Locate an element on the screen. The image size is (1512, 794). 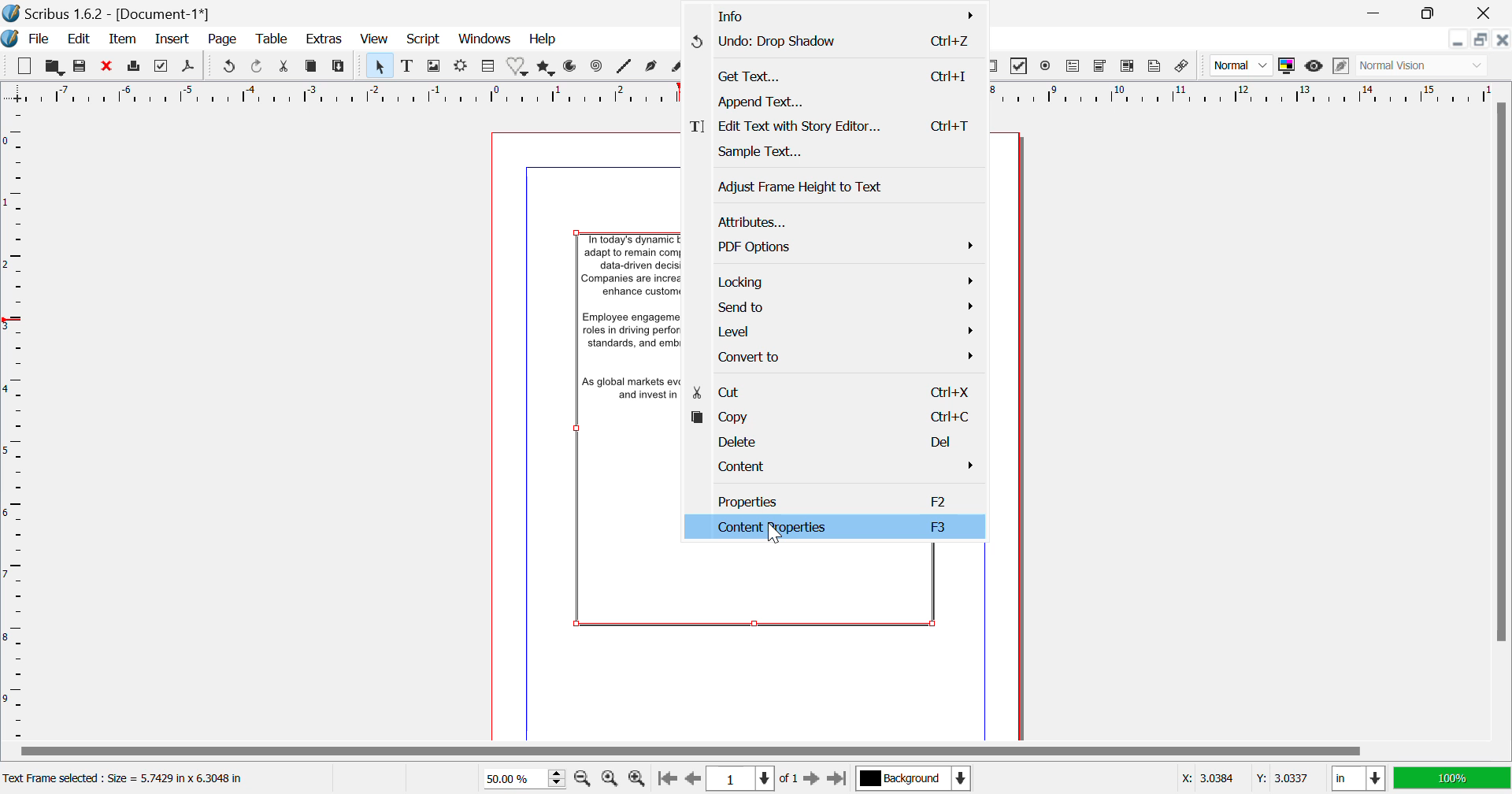
Convert to is located at coordinates (841, 361).